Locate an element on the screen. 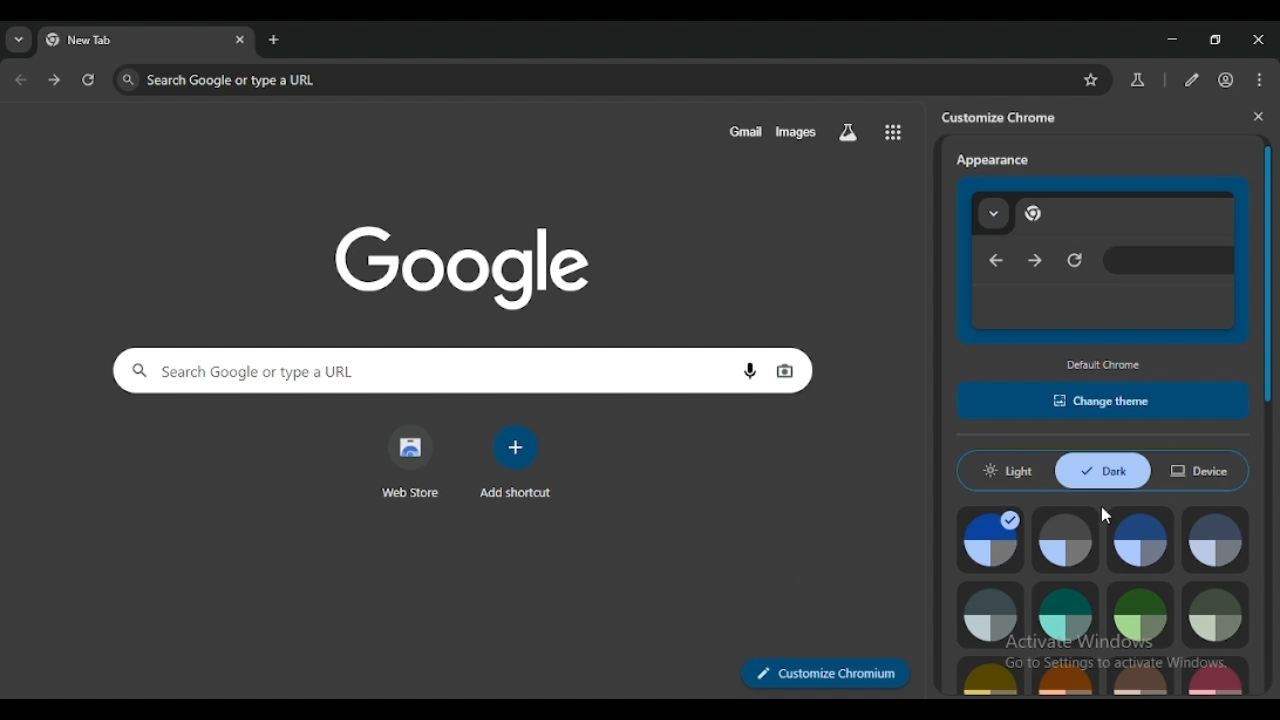 Image resolution: width=1280 pixels, height=720 pixels. customize and control chromium is located at coordinates (1261, 79).